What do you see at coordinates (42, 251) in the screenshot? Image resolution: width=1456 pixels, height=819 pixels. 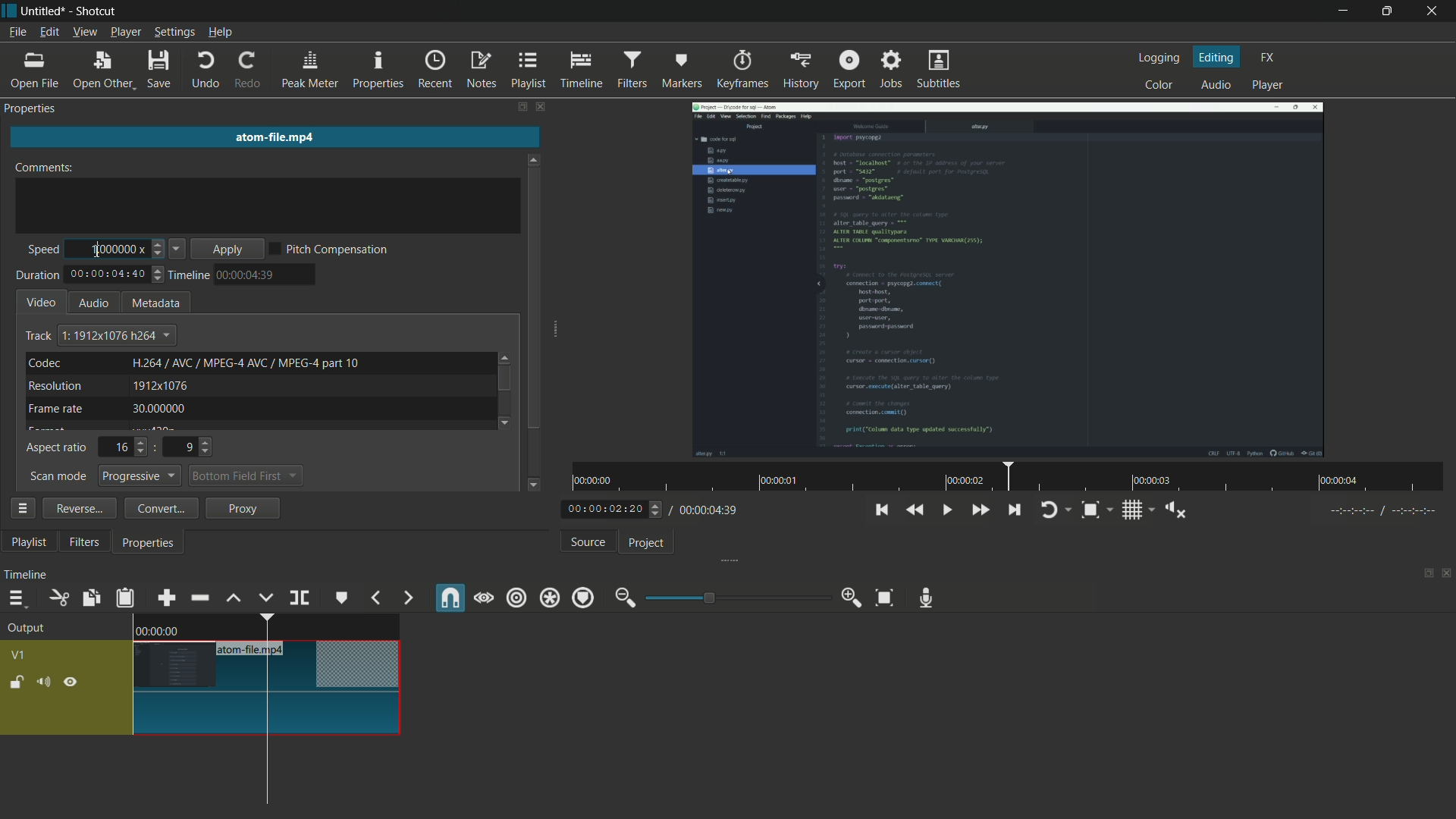 I see `speed` at bounding box center [42, 251].